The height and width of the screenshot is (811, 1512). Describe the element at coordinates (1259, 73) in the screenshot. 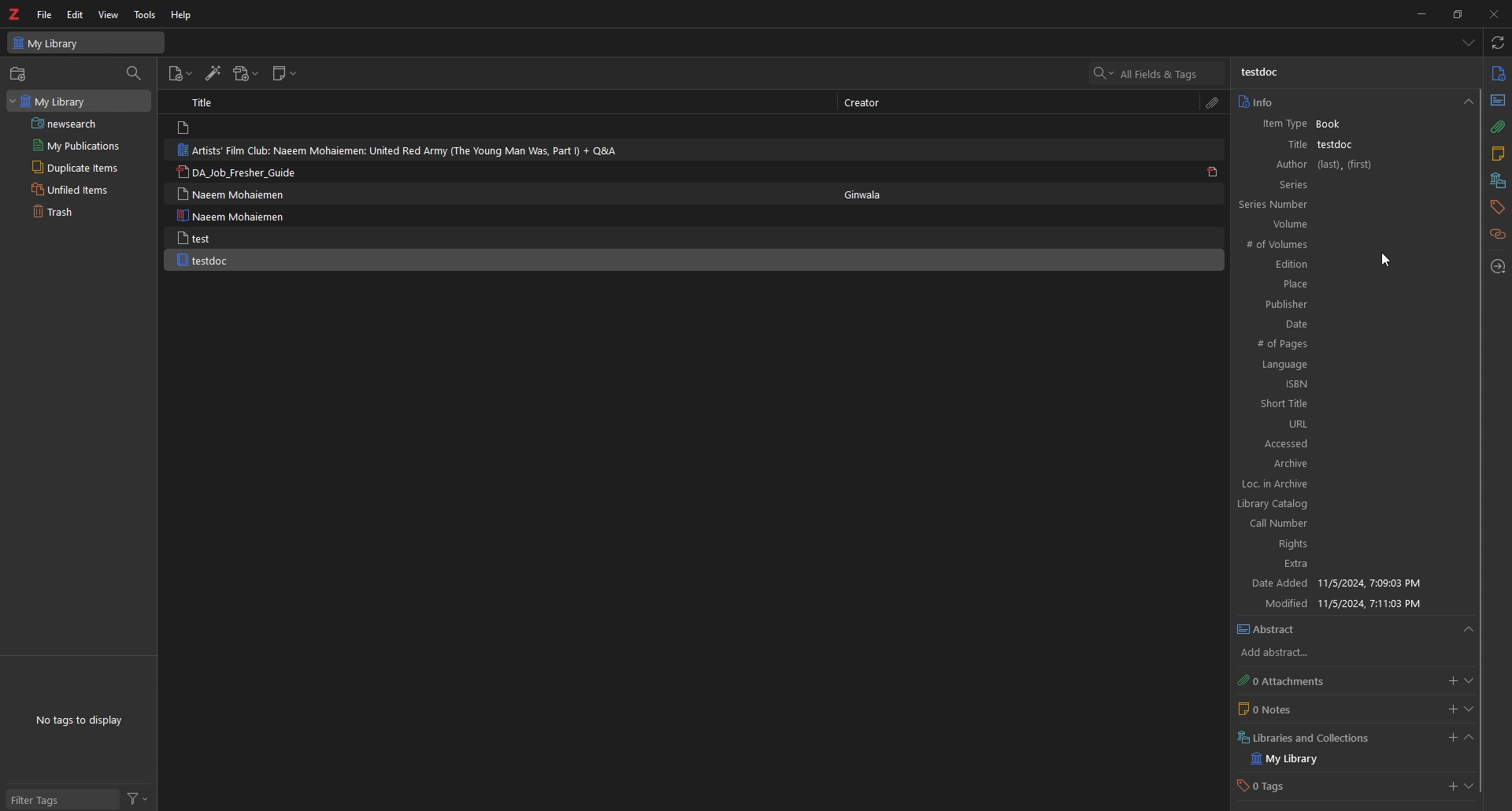

I see `testdoc` at that location.